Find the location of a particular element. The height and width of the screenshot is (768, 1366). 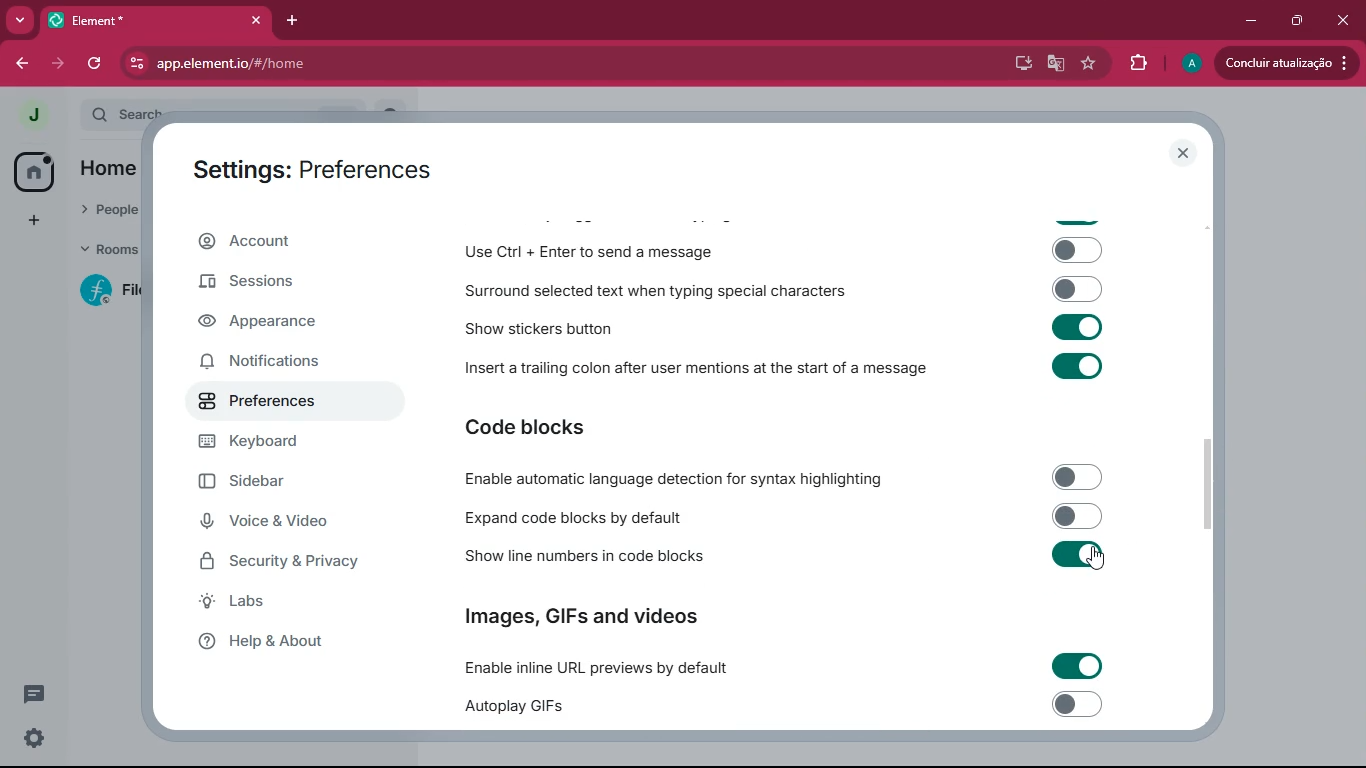

labs is located at coordinates (276, 602).